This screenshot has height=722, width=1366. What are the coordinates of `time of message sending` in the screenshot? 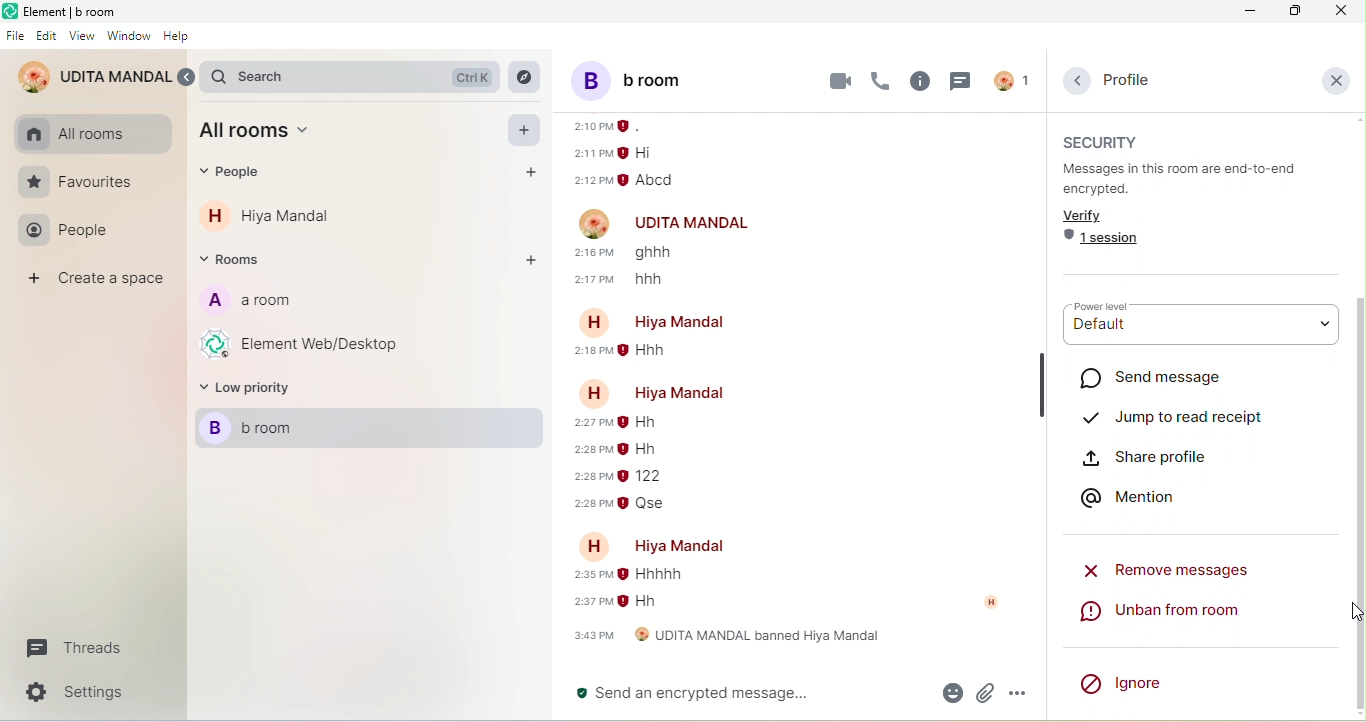 It's located at (593, 180).